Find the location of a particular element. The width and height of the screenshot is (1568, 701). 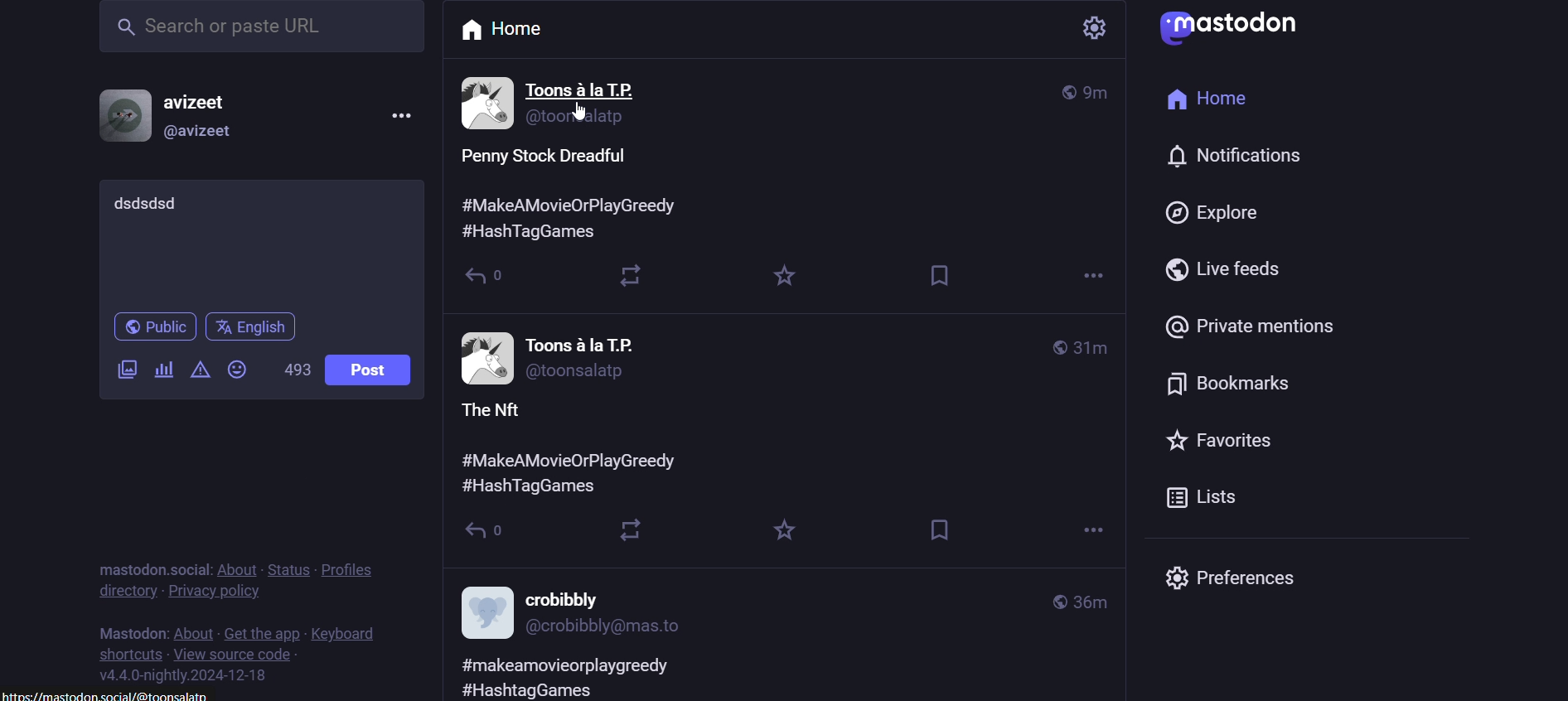

about is located at coordinates (191, 626).